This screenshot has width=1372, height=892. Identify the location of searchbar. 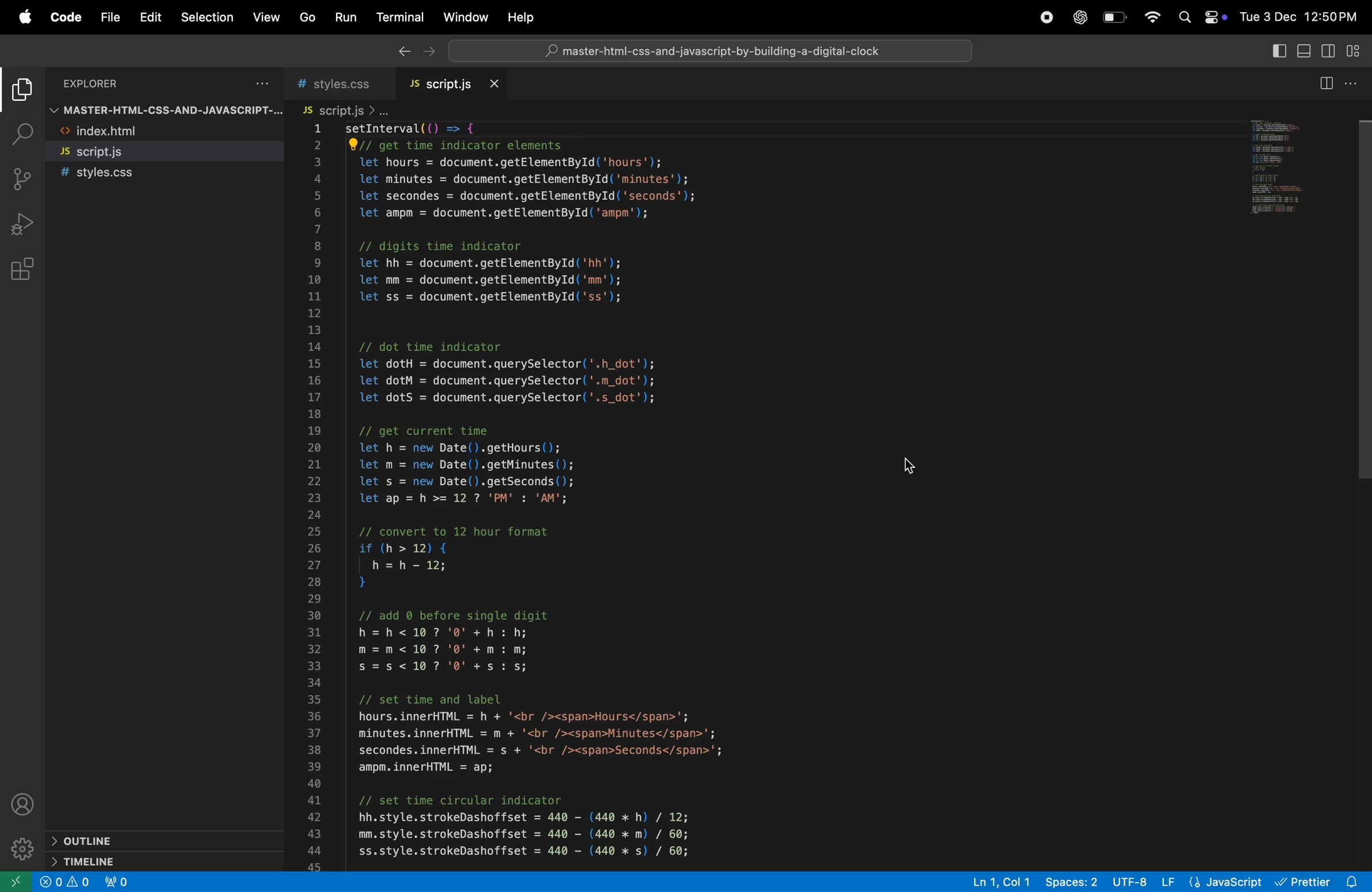
(710, 50).